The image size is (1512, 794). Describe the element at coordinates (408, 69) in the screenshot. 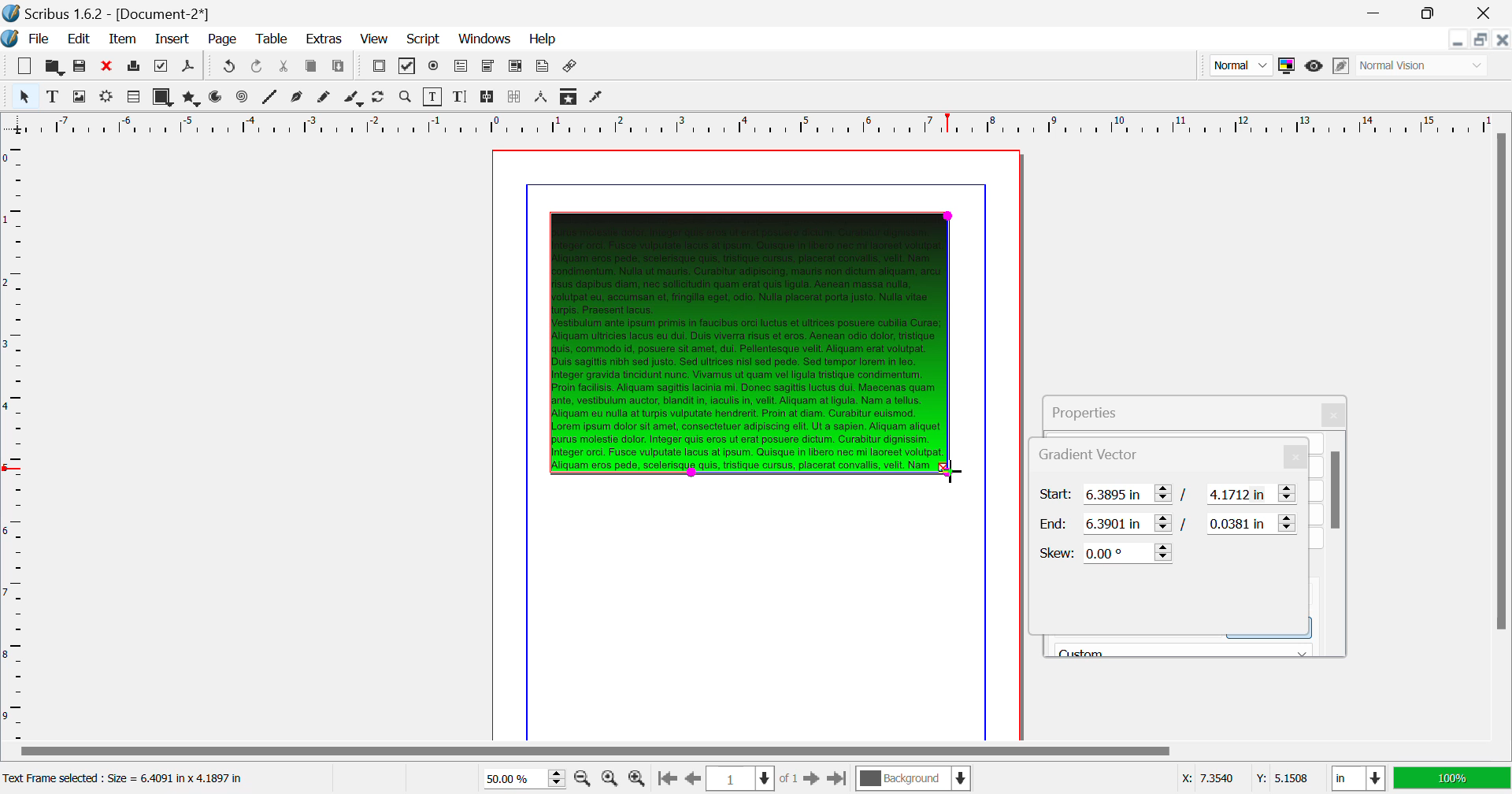

I see `Pdf Checkbox` at that location.